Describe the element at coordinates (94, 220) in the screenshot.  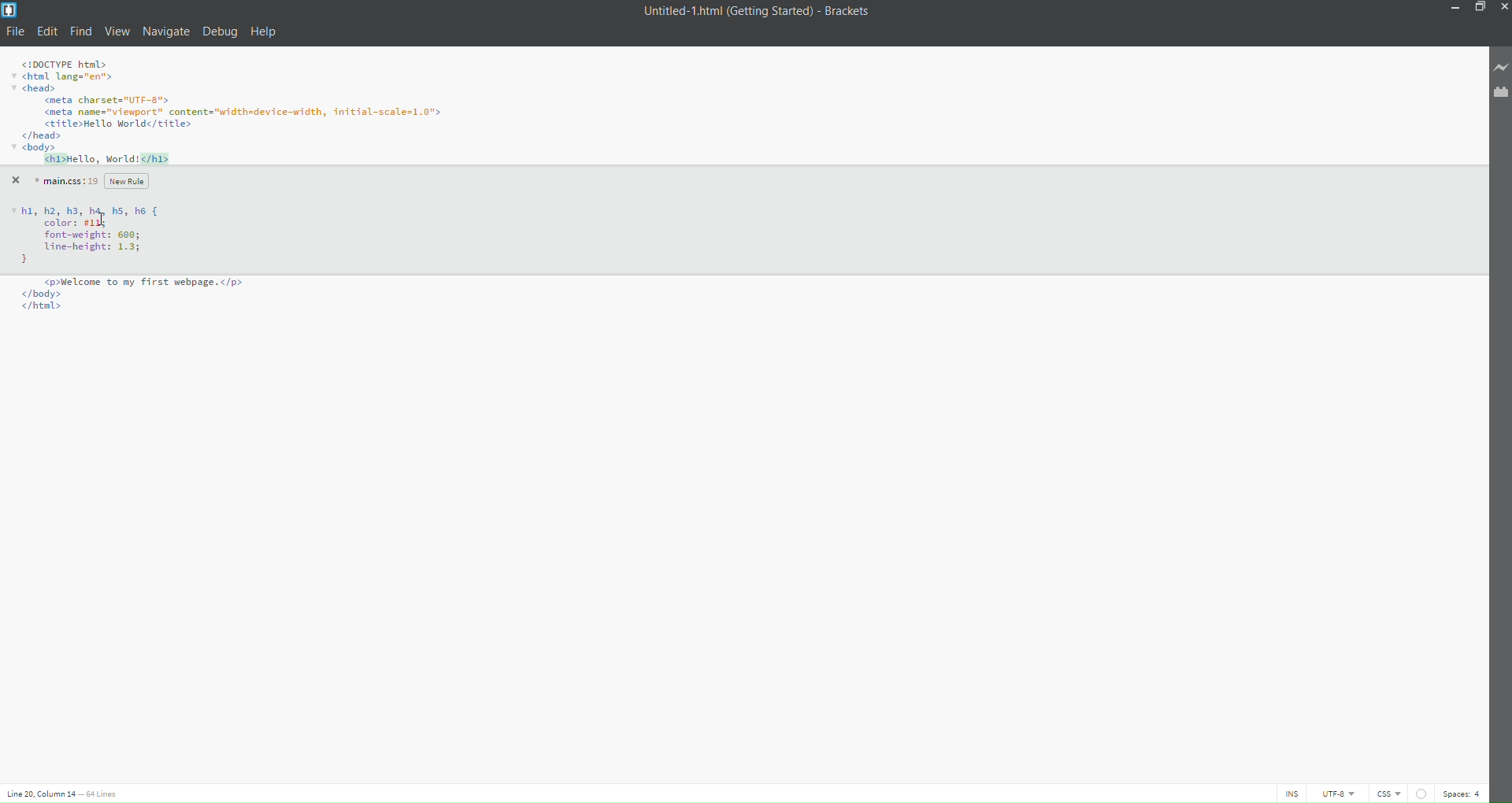
I see `Code` at that location.